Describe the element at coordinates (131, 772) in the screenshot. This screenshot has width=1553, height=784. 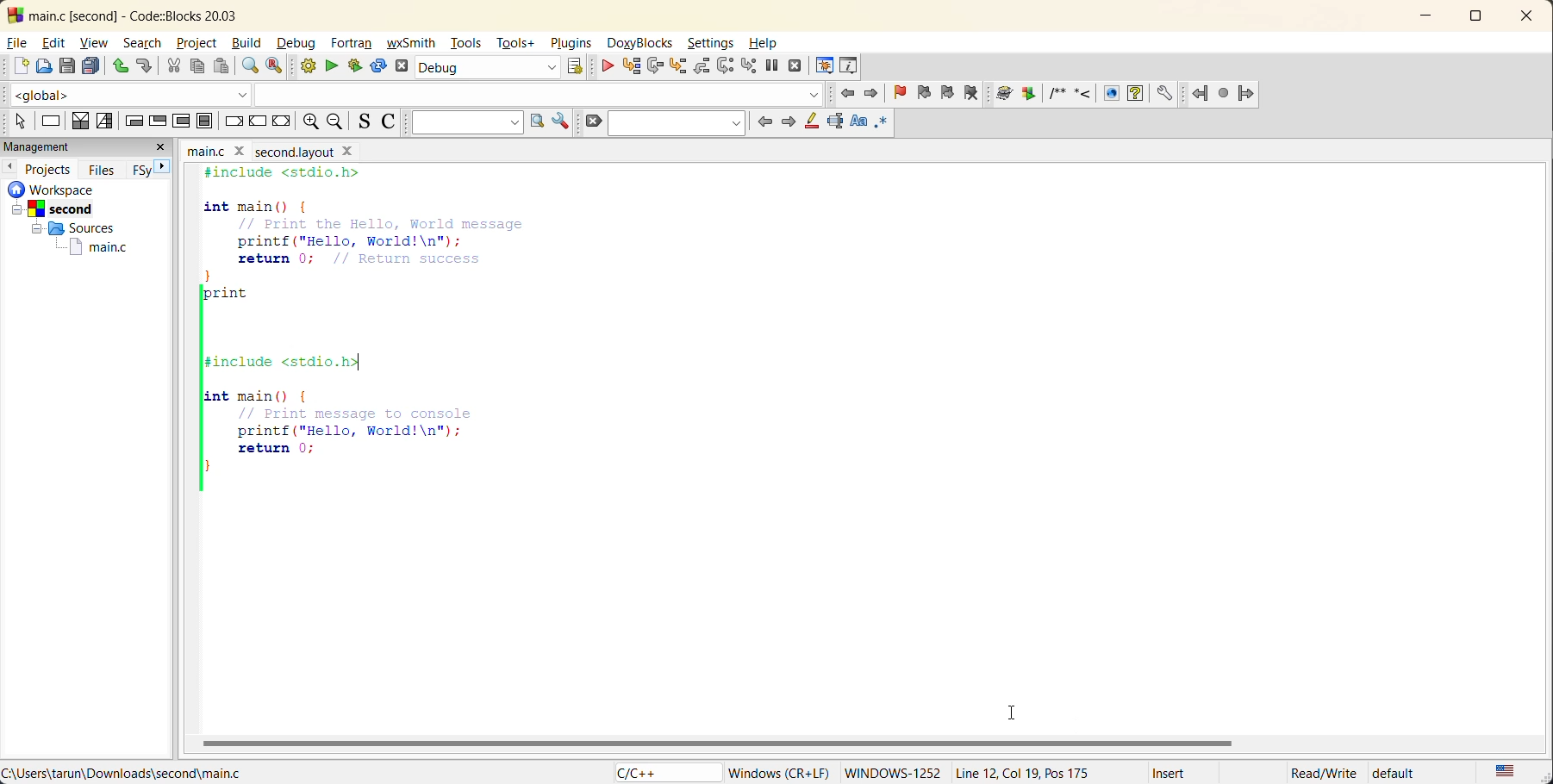
I see `file location` at that location.